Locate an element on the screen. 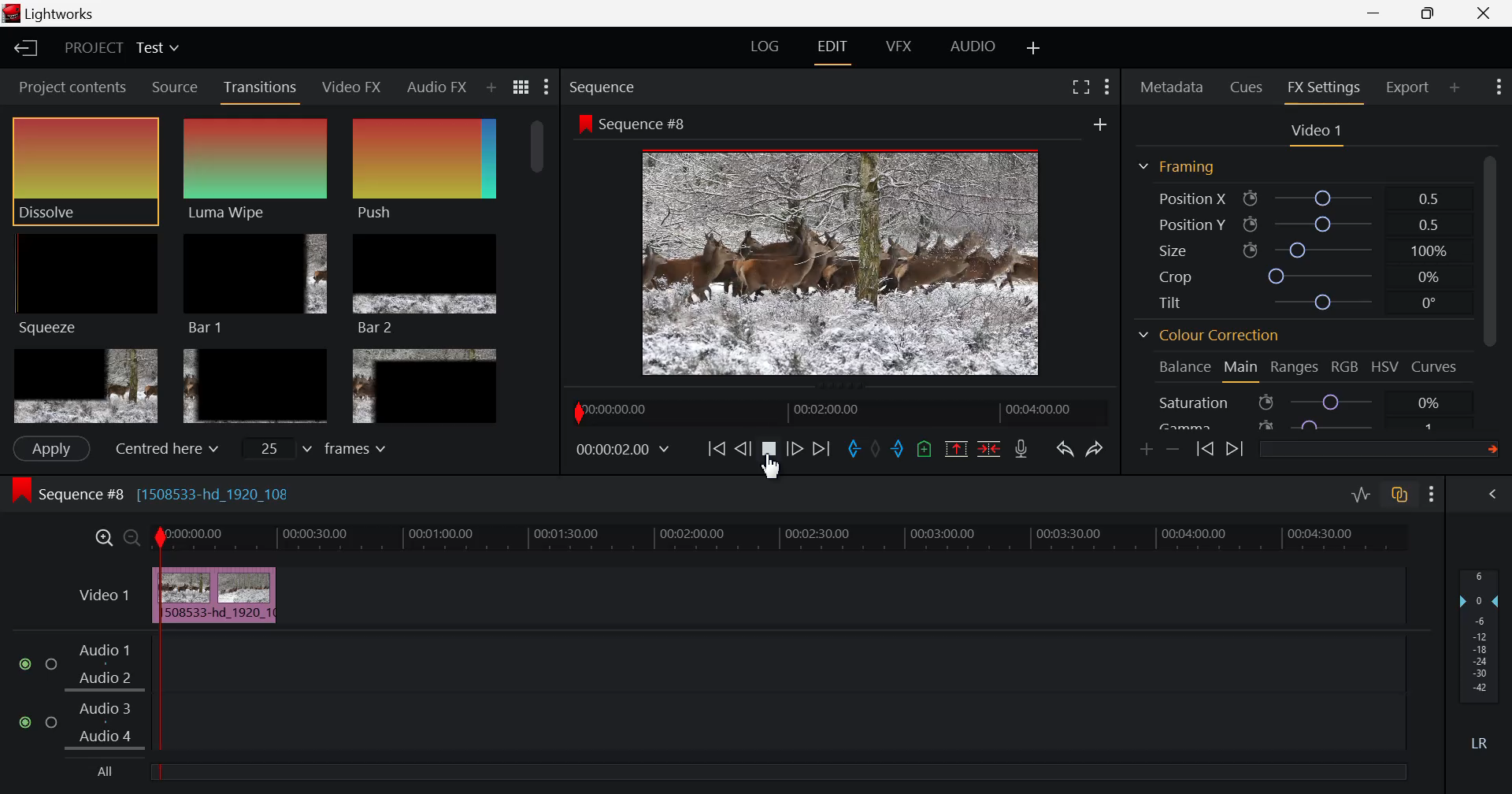 Image resolution: width=1512 pixels, height=794 pixels. Show Settings is located at coordinates (1435, 493).